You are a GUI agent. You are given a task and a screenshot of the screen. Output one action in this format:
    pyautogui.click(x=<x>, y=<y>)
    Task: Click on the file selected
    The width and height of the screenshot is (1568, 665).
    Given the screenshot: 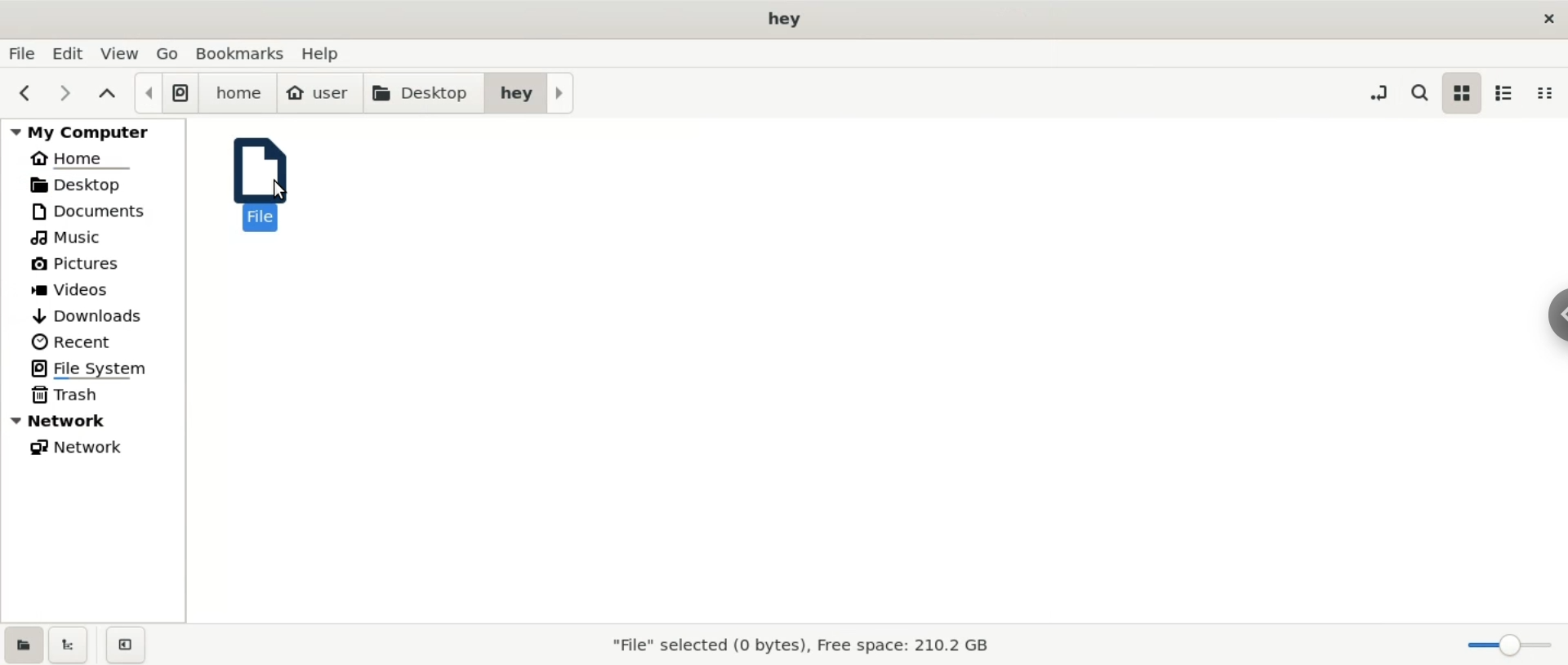 What is the action you would take?
    pyautogui.click(x=261, y=188)
    